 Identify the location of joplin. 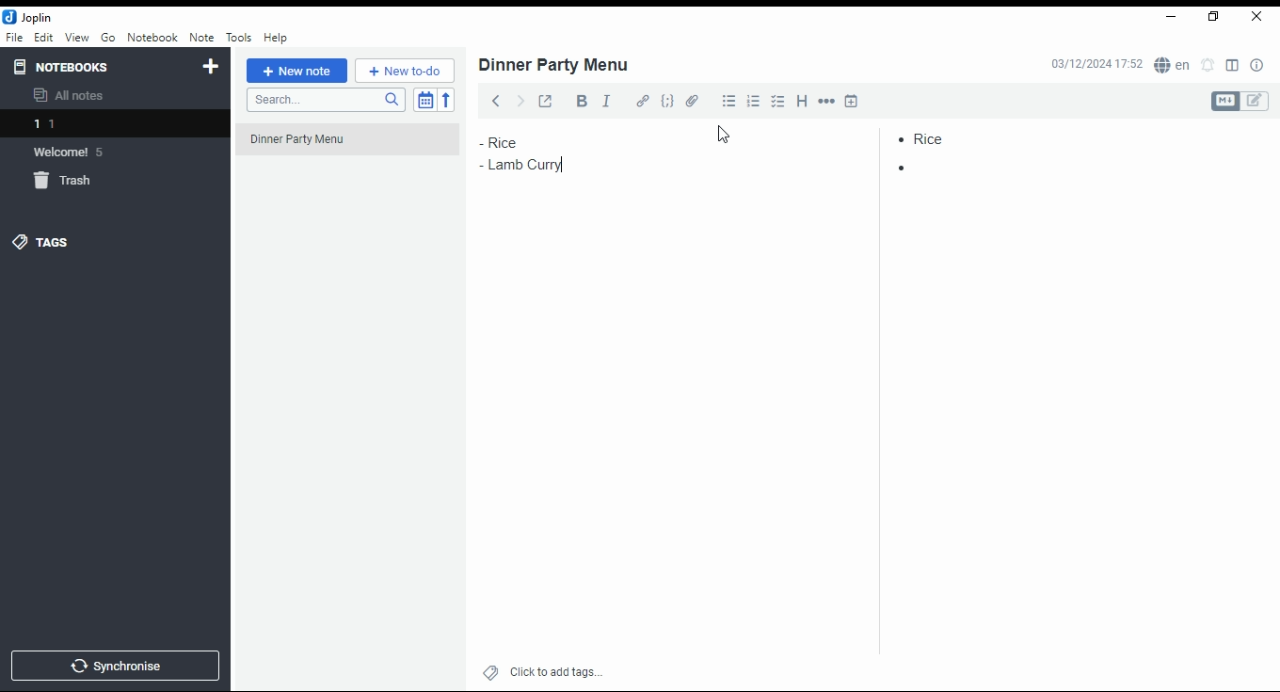
(29, 17).